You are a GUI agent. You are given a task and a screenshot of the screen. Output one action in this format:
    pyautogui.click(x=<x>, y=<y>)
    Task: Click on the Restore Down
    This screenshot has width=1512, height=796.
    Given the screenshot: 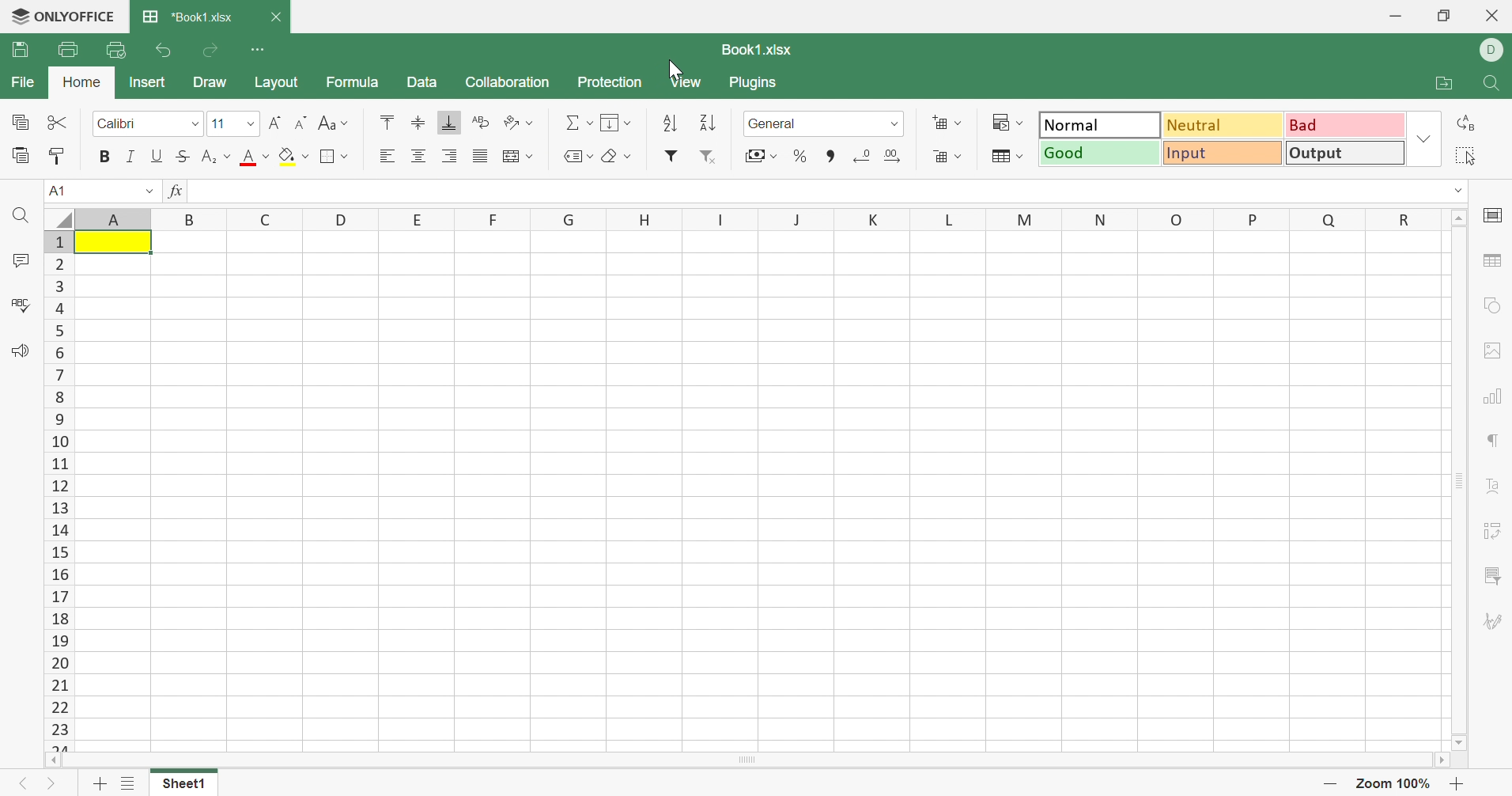 What is the action you would take?
    pyautogui.click(x=1446, y=15)
    